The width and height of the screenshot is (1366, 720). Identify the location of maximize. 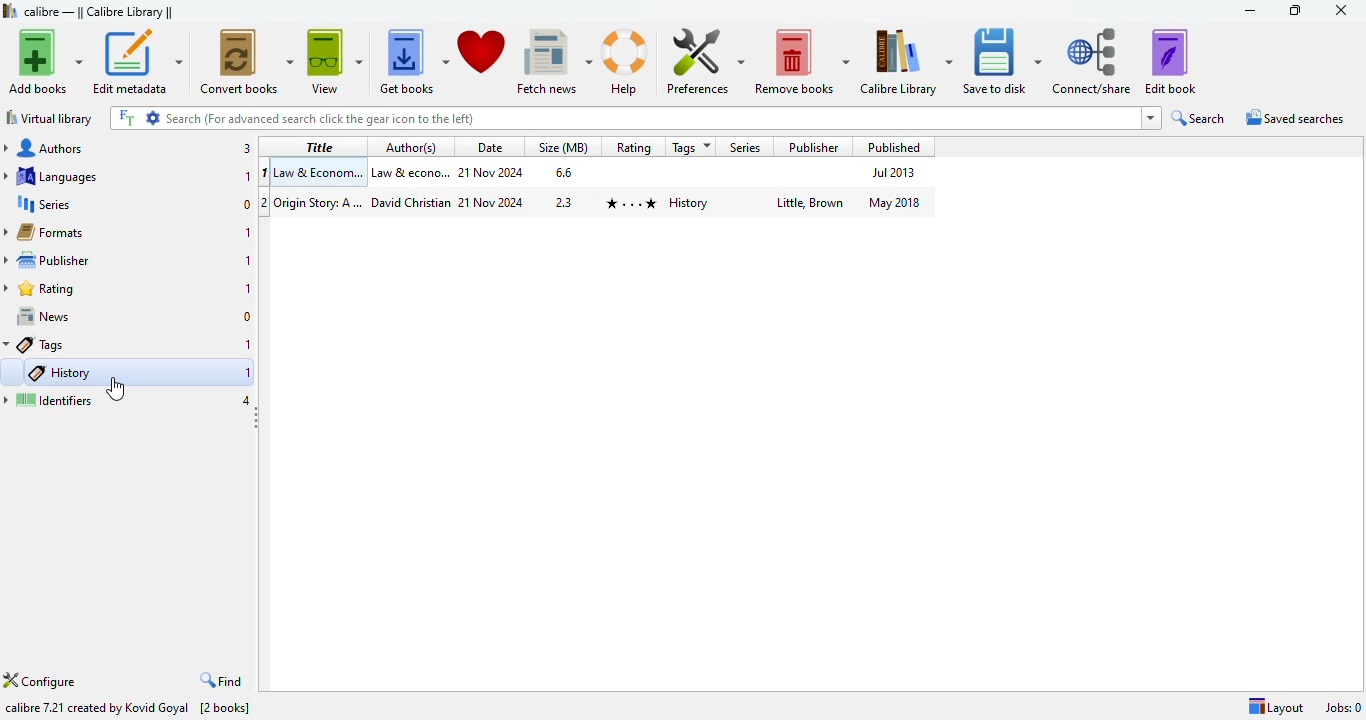
(1295, 10).